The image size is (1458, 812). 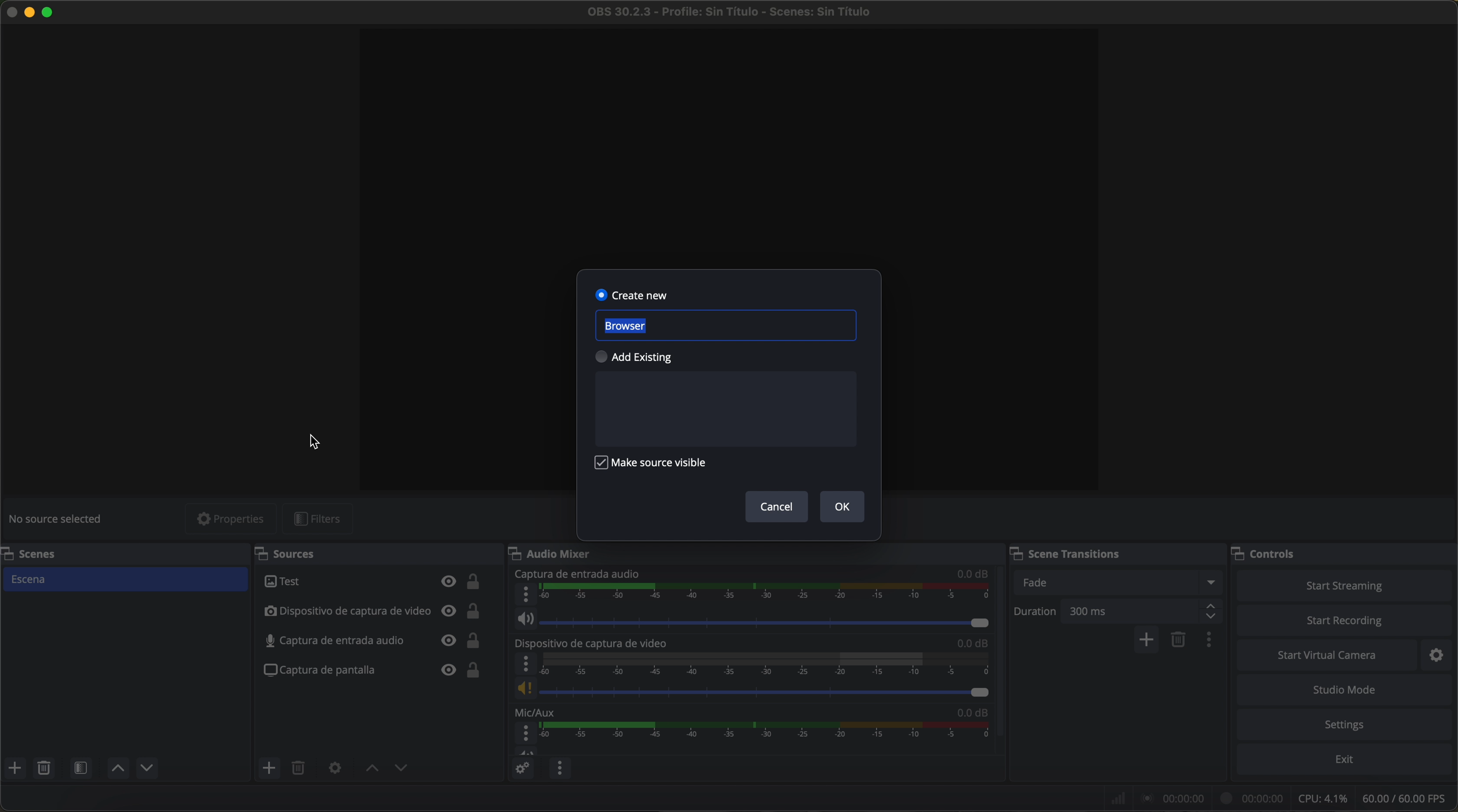 What do you see at coordinates (1268, 552) in the screenshot?
I see `controls` at bounding box center [1268, 552].